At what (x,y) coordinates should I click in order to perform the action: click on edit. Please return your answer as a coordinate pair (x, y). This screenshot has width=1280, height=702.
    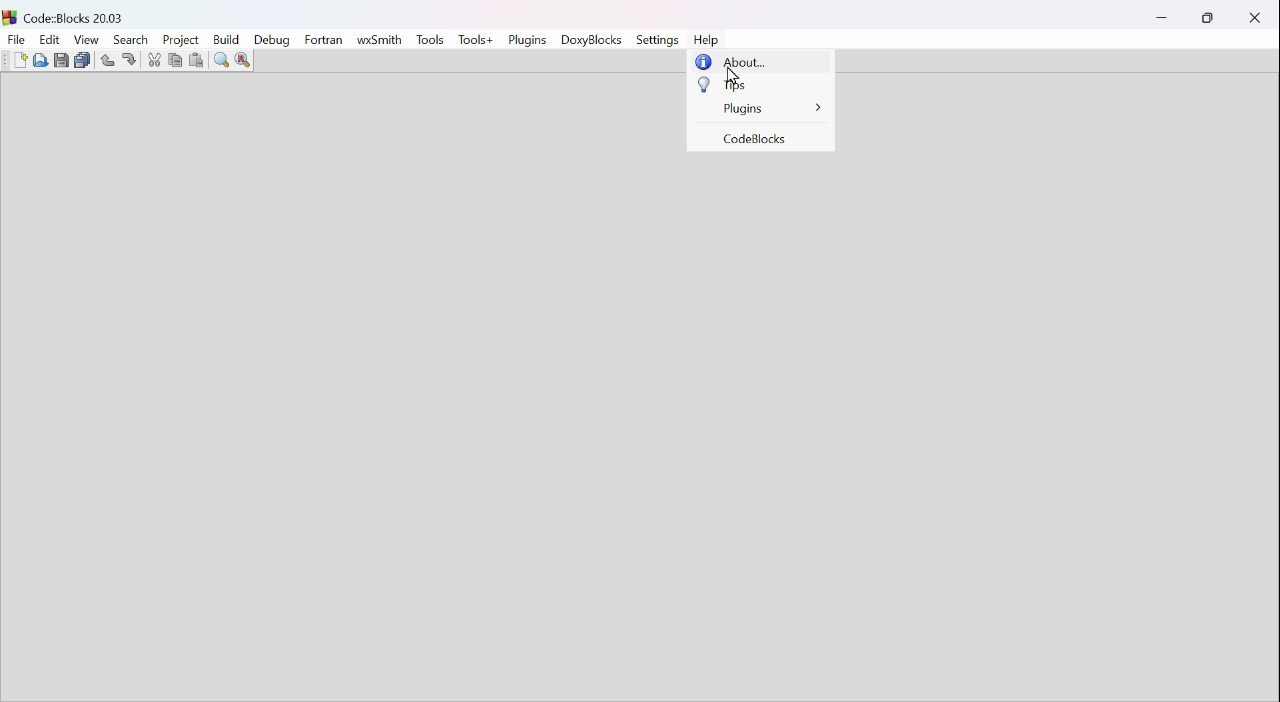
    Looking at the image, I should click on (51, 40).